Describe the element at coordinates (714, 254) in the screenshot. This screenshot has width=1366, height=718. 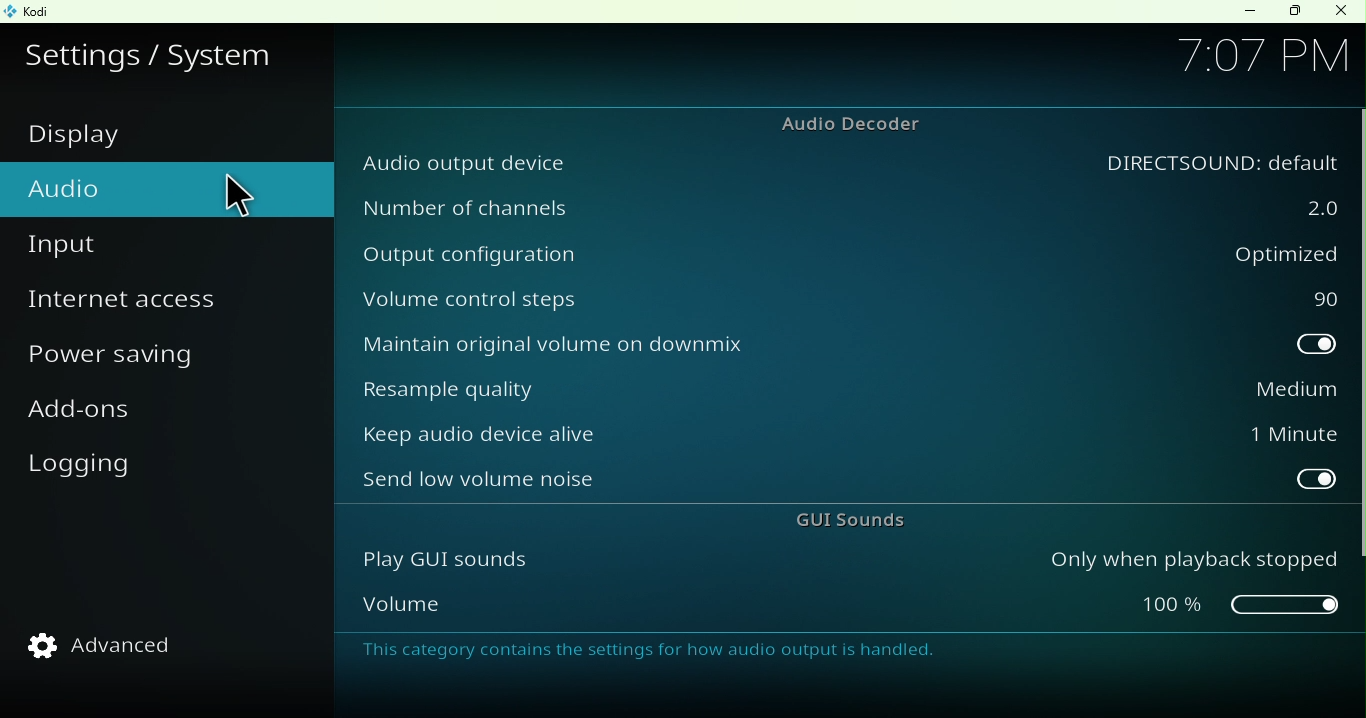
I see `Output configuration` at that location.